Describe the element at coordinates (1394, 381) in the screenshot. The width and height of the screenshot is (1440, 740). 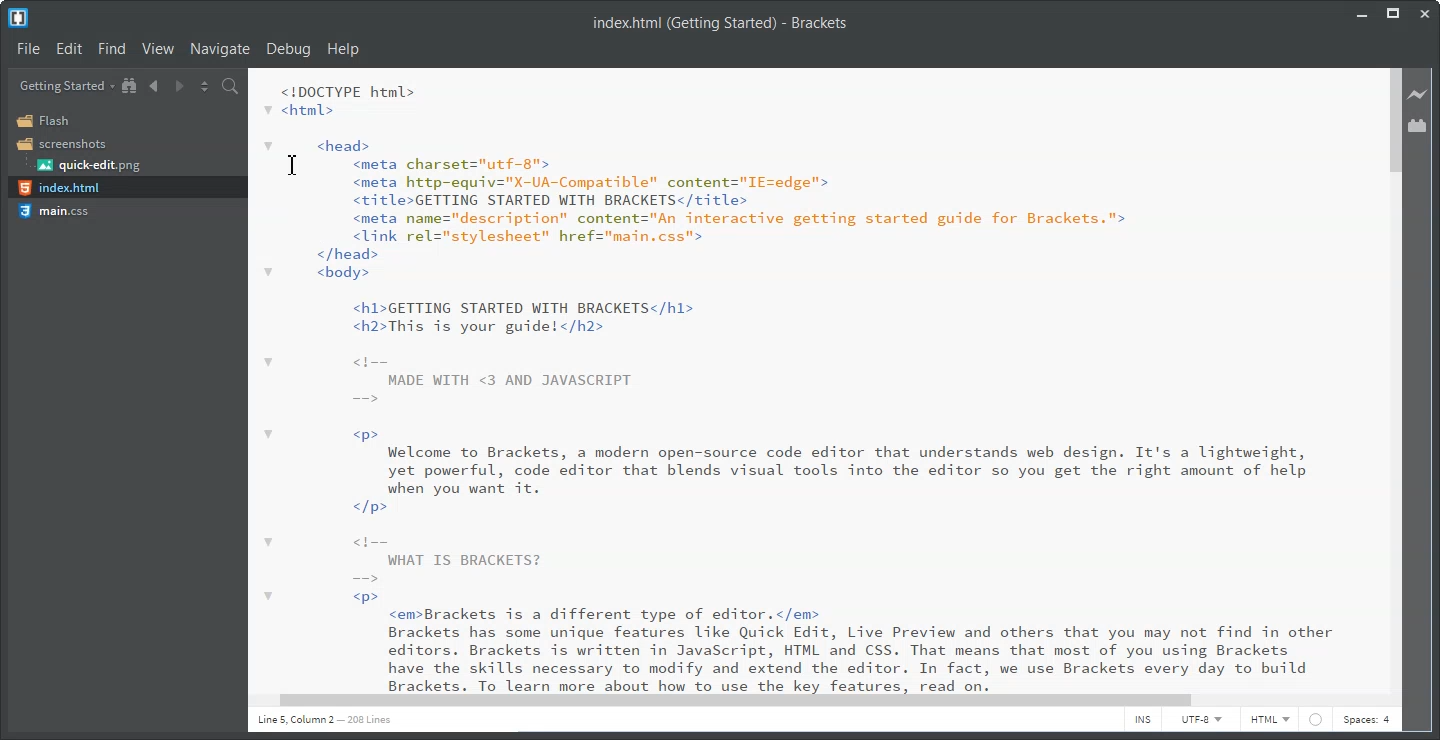
I see `Vertical Scroll Bar` at that location.